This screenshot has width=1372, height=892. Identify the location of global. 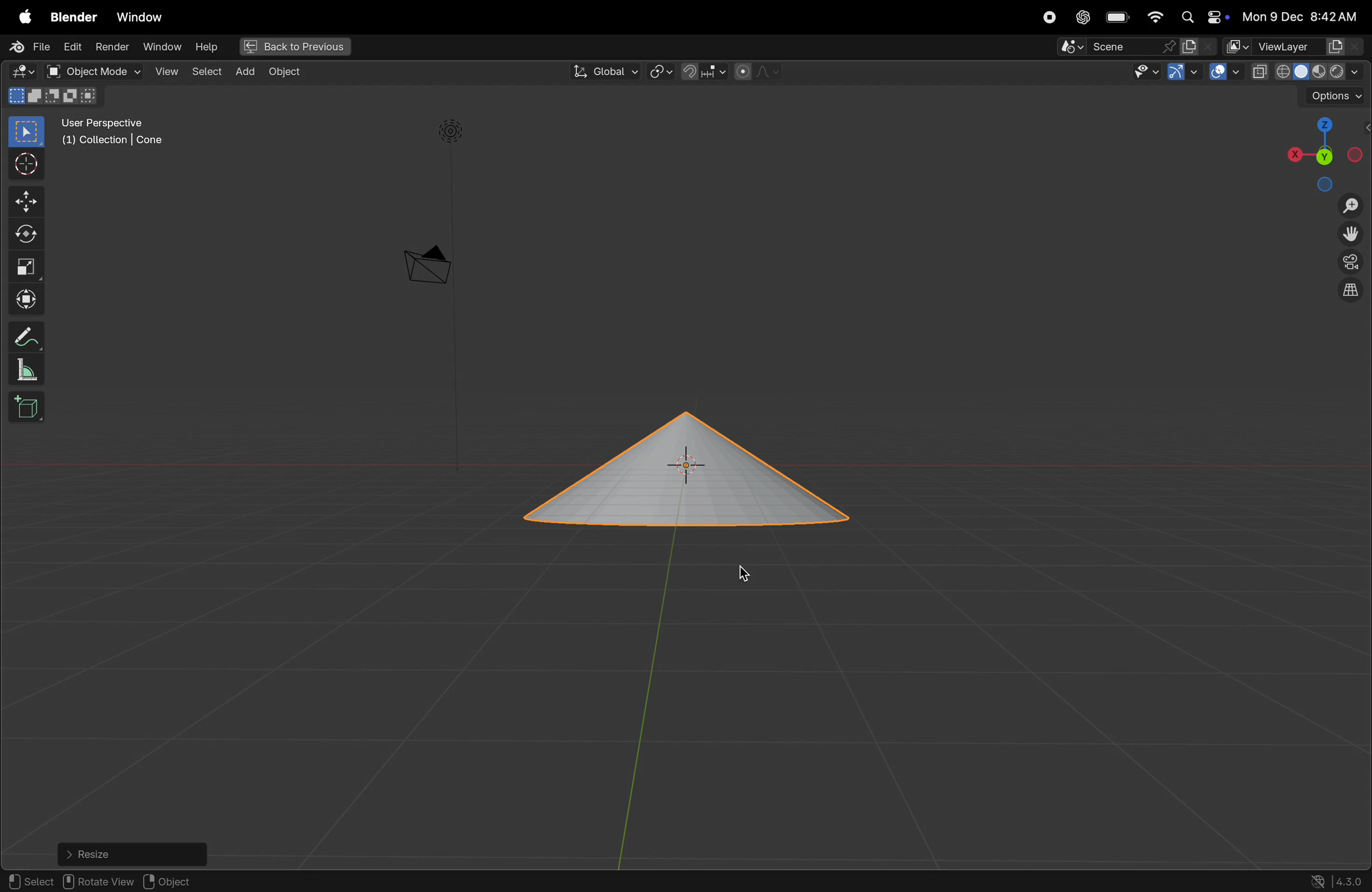
(605, 71).